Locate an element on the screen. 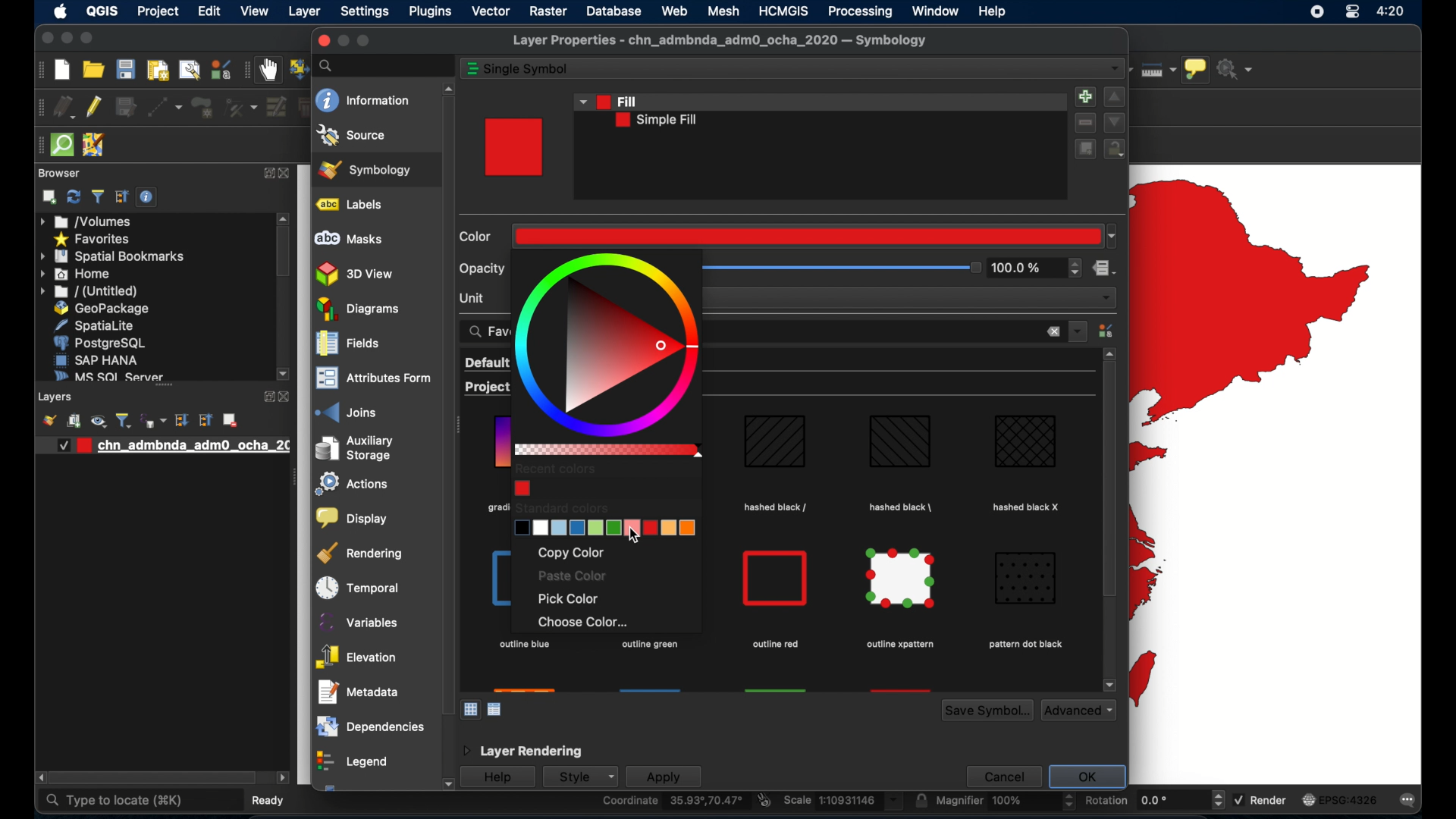 The height and width of the screenshot is (819, 1456). pan map to selection is located at coordinates (297, 67).